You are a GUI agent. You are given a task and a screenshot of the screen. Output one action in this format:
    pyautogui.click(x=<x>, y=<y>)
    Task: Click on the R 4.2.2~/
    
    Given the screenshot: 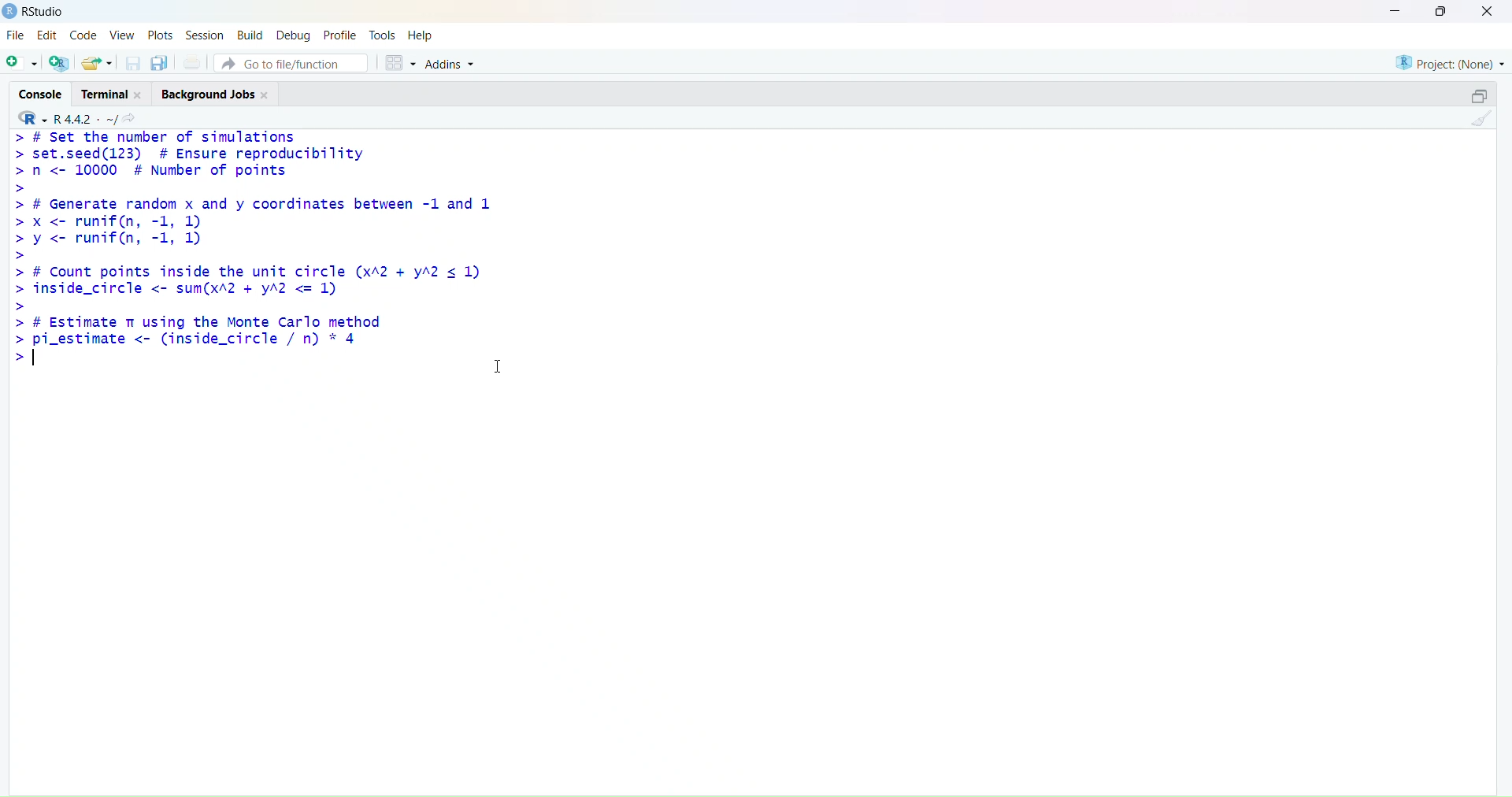 What is the action you would take?
    pyautogui.click(x=87, y=117)
    